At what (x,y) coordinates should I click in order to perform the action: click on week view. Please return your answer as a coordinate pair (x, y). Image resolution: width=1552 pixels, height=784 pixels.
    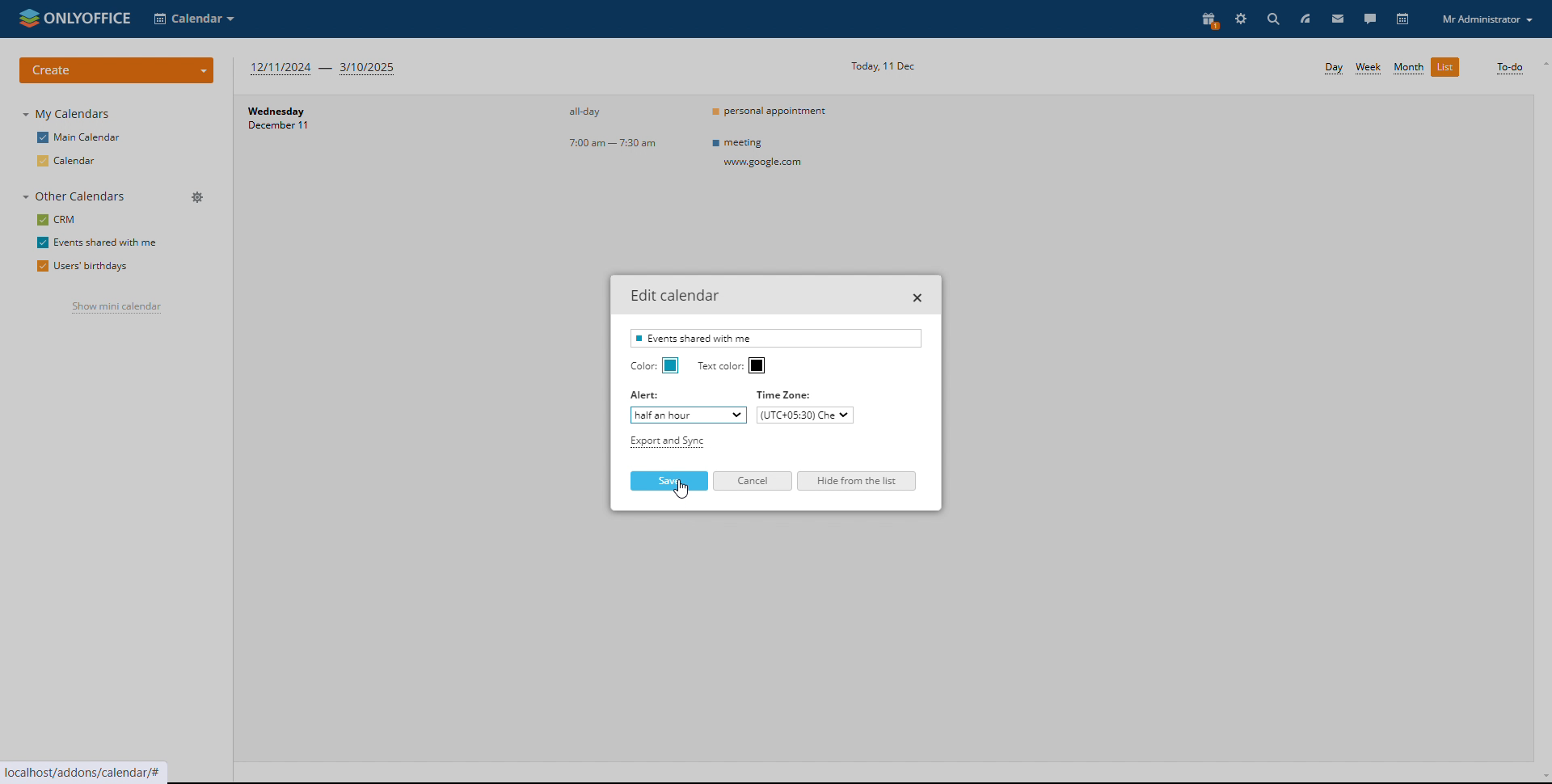
    Looking at the image, I should click on (1369, 68).